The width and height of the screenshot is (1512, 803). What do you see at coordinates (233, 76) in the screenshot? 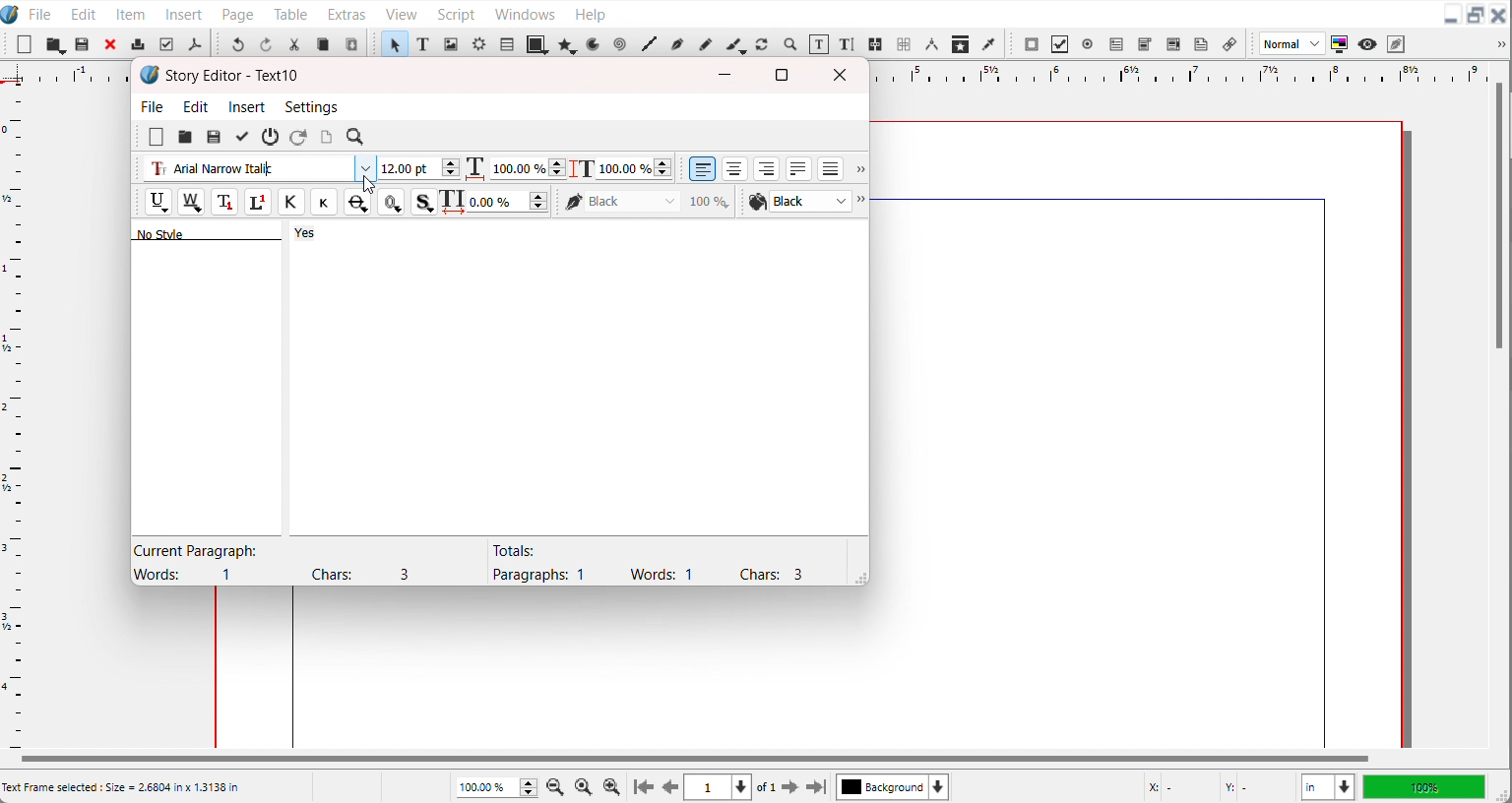
I see `Text` at bounding box center [233, 76].